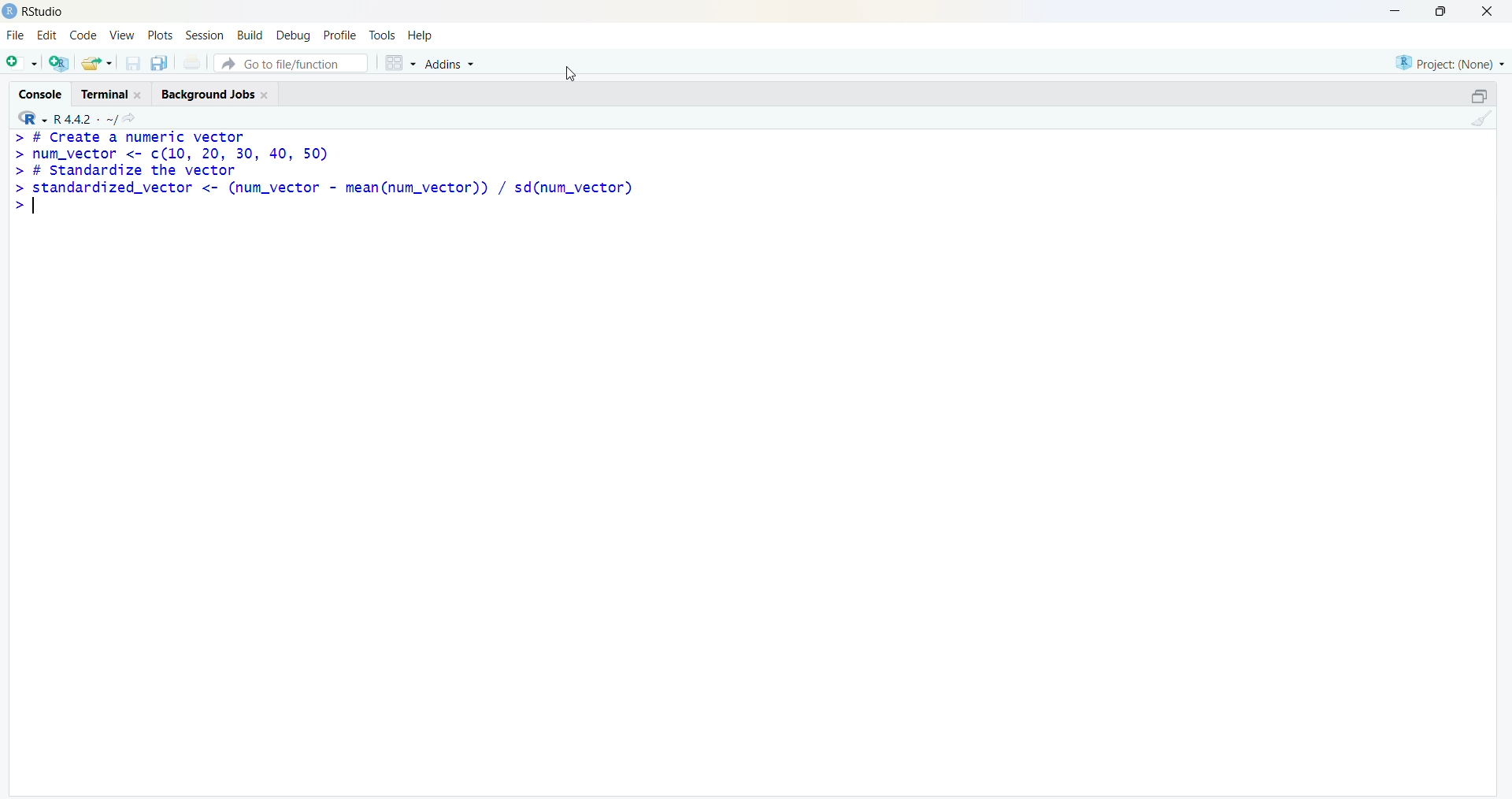 The image size is (1512, 799). What do you see at coordinates (106, 95) in the screenshot?
I see `terminal` at bounding box center [106, 95].